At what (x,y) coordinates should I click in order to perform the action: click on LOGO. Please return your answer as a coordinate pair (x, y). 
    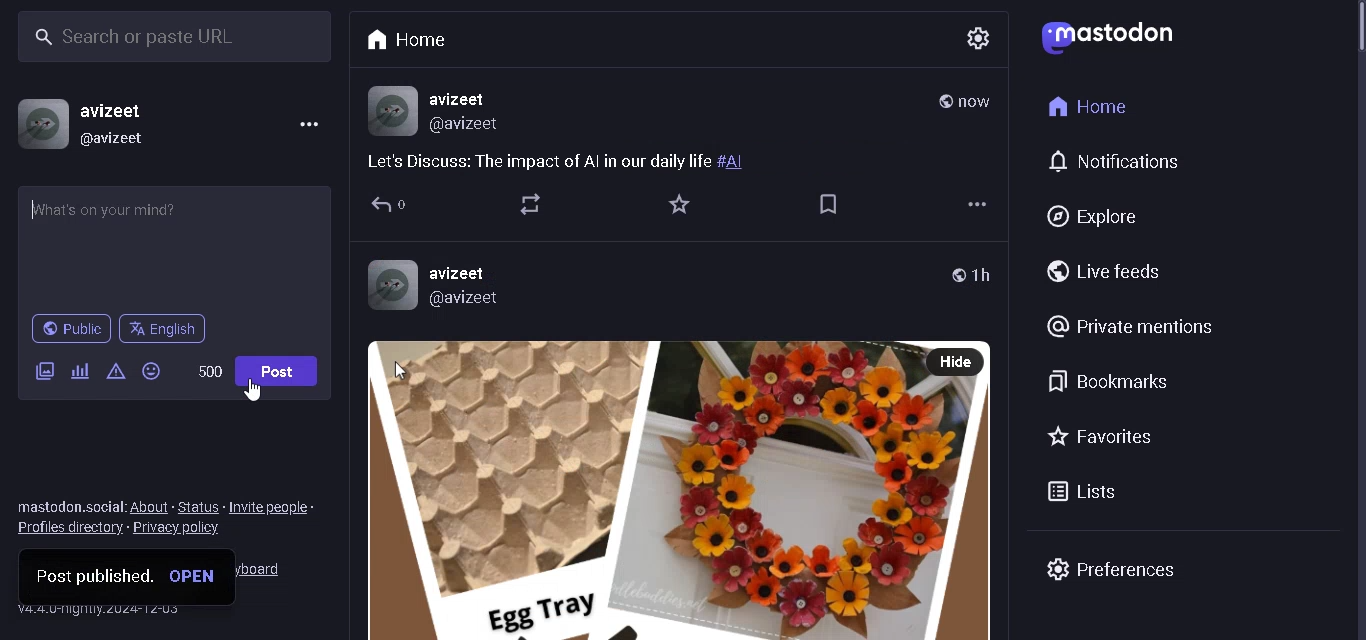
    Looking at the image, I should click on (1113, 36).